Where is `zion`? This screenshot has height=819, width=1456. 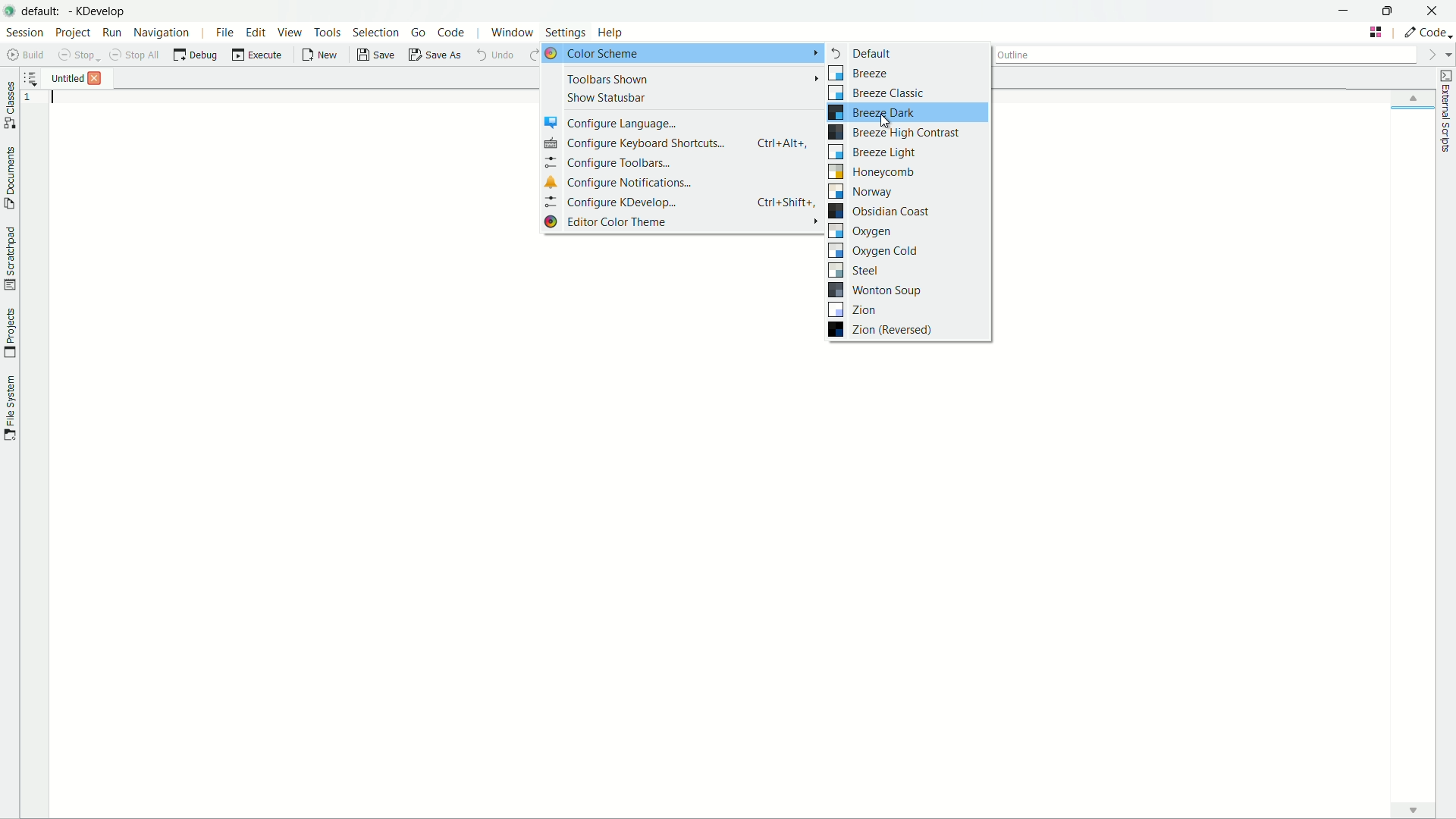
zion is located at coordinates (853, 309).